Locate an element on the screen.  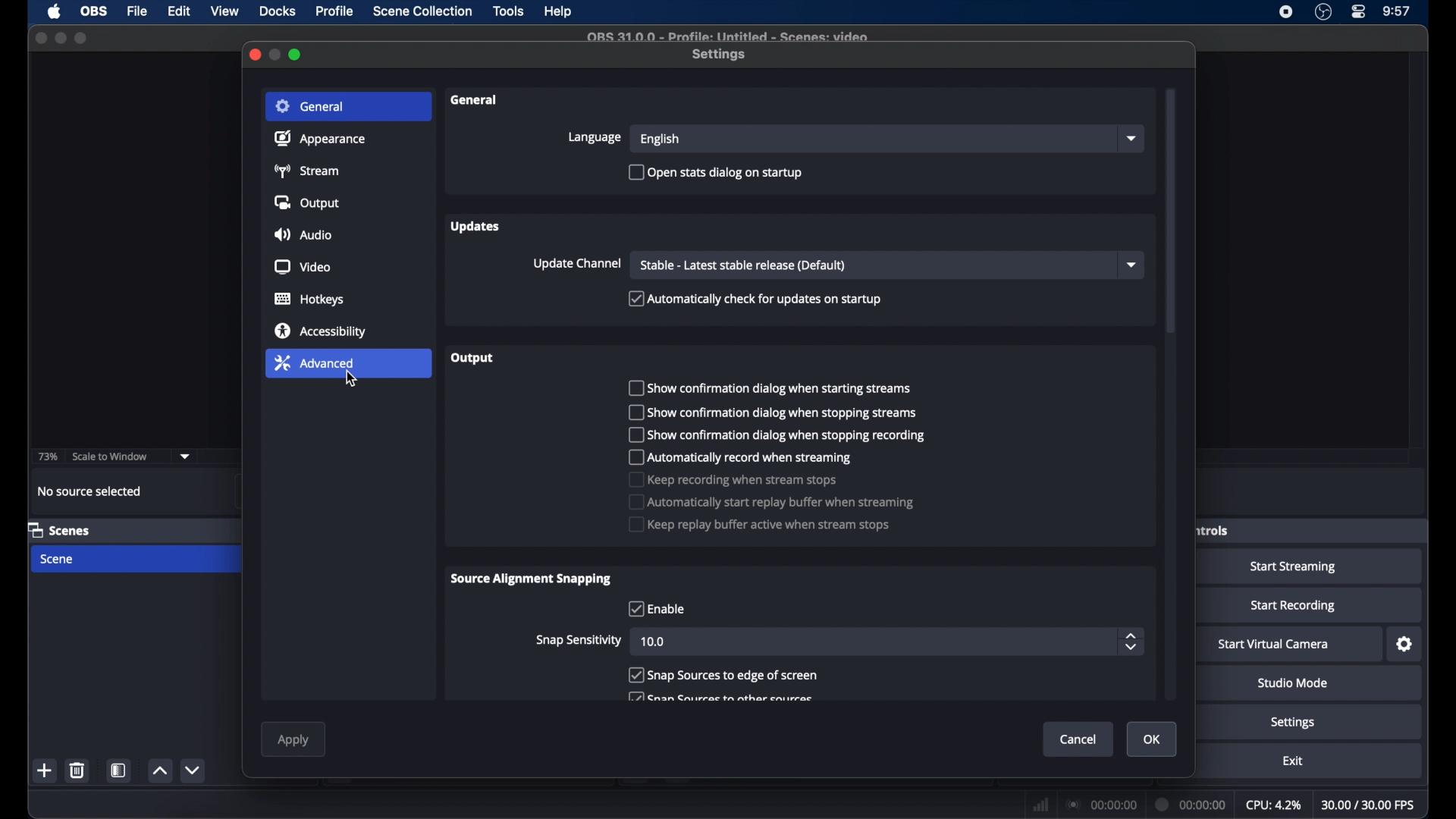
checkbox is located at coordinates (715, 171).